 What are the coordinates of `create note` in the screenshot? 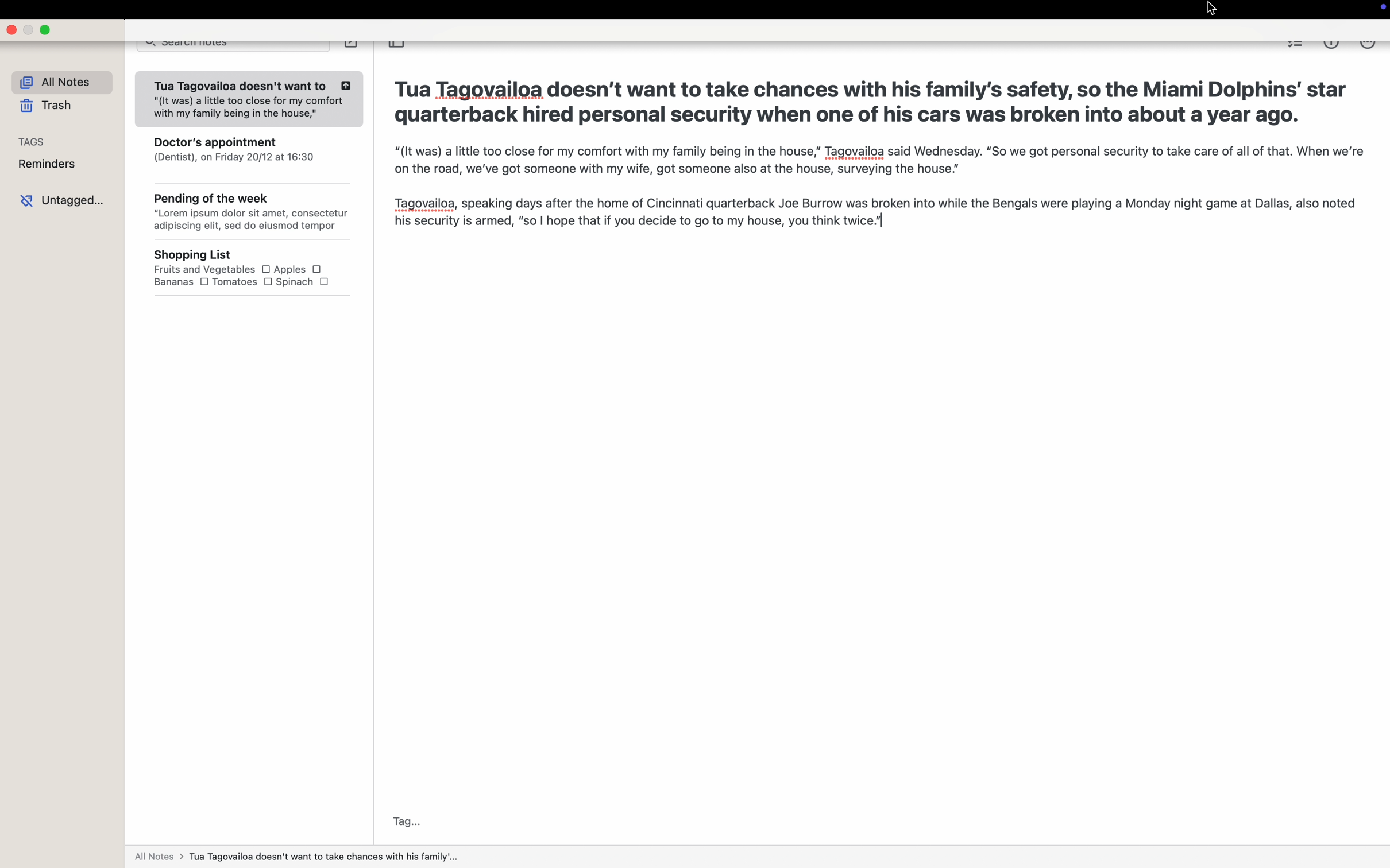 It's located at (350, 44).